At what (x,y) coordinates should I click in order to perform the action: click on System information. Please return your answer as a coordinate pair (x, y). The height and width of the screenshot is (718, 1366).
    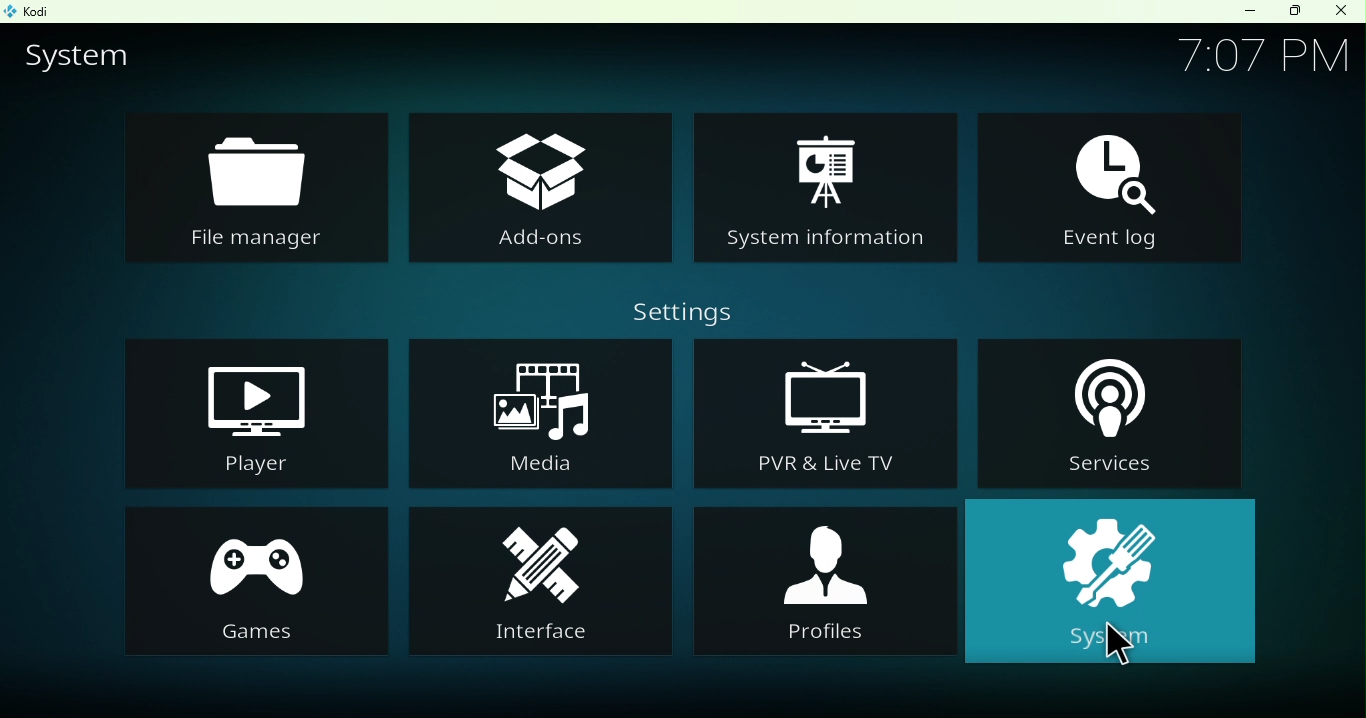
    Looking at the image, I should click on (824, 190).